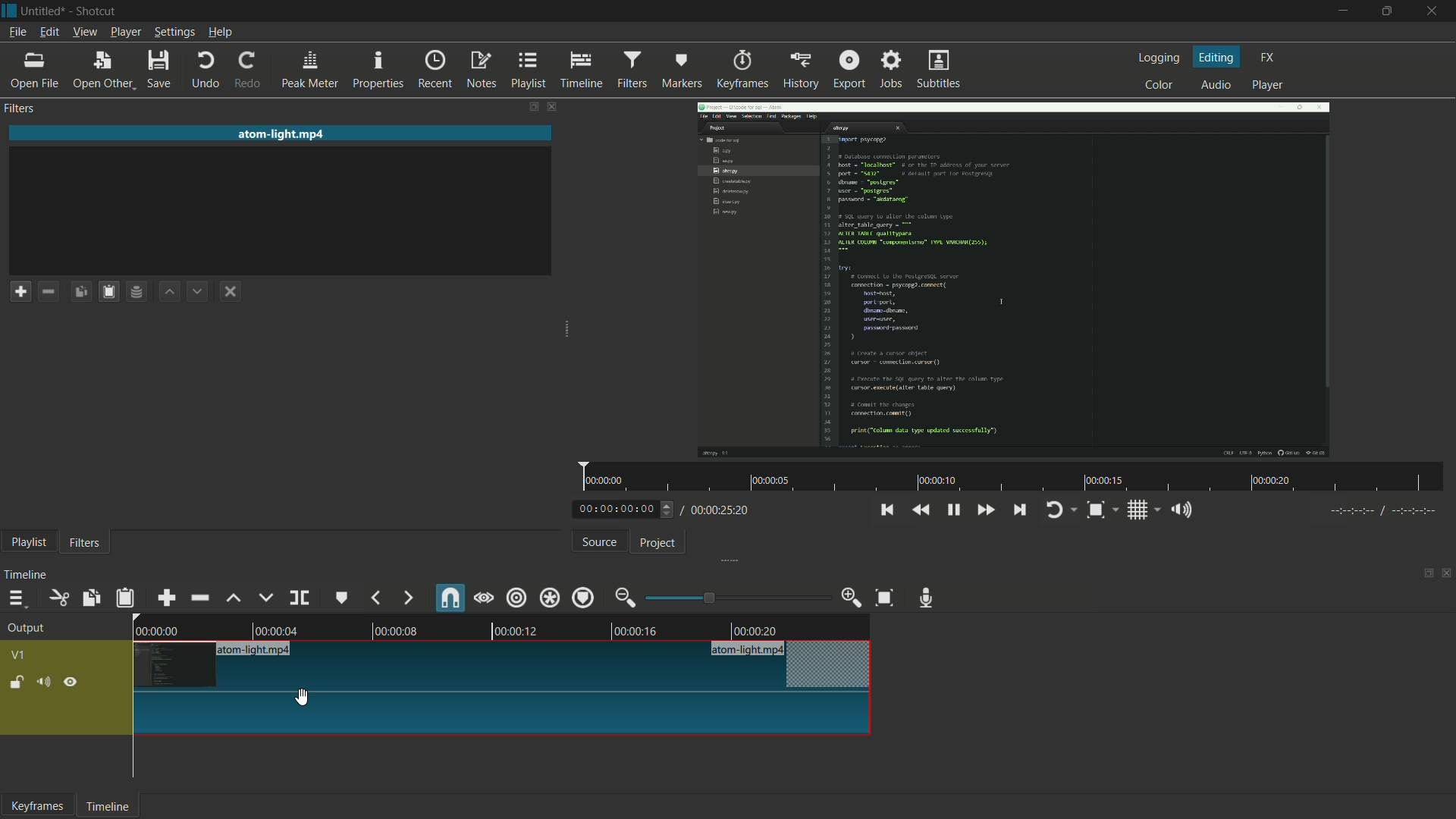 The image size is (1456, 819). I want to click on previous marker, so click(377, 599).